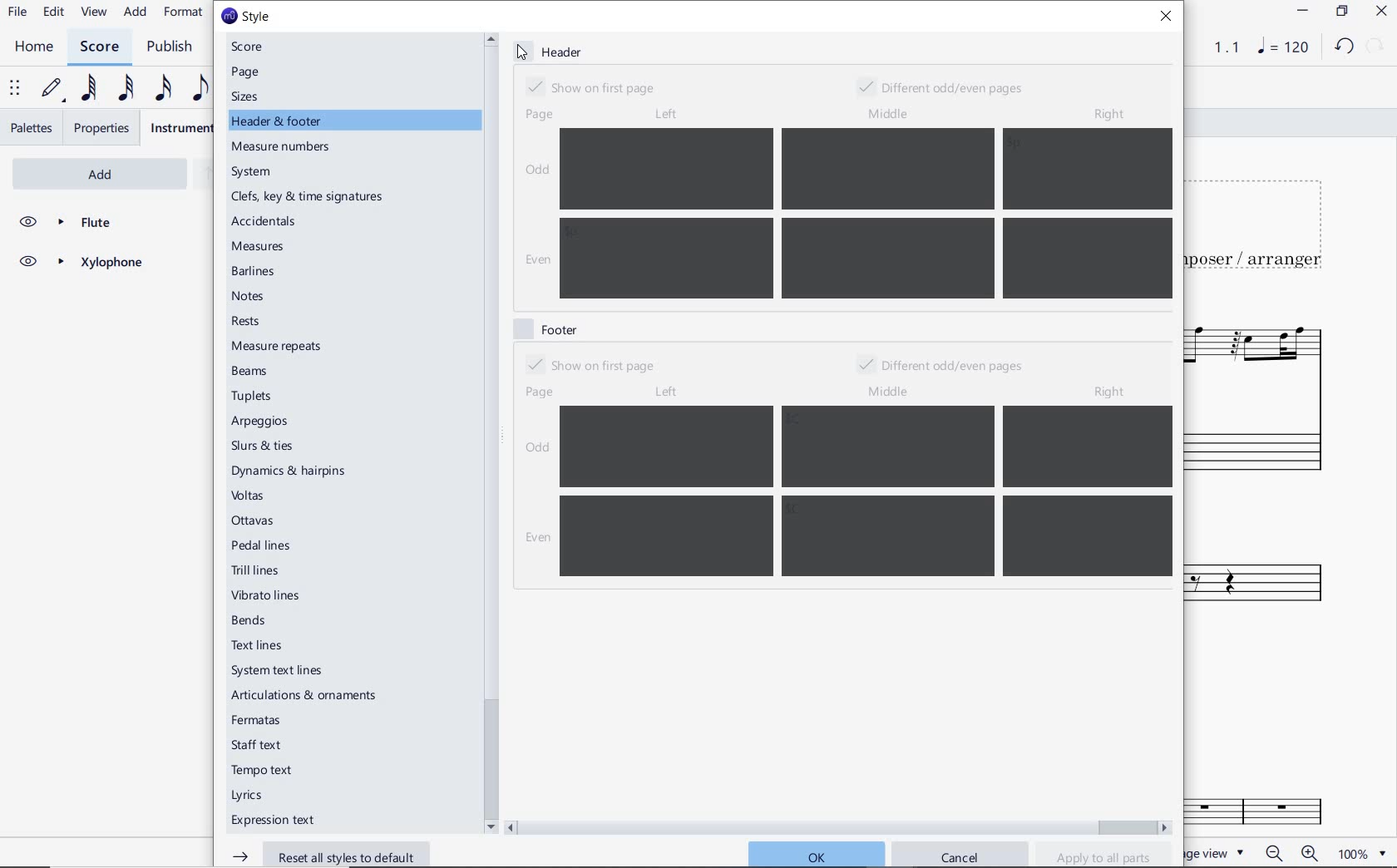 Image resolution: width=1397 pixels, height=868 pixels. I want to click on left, so click(664, 114).